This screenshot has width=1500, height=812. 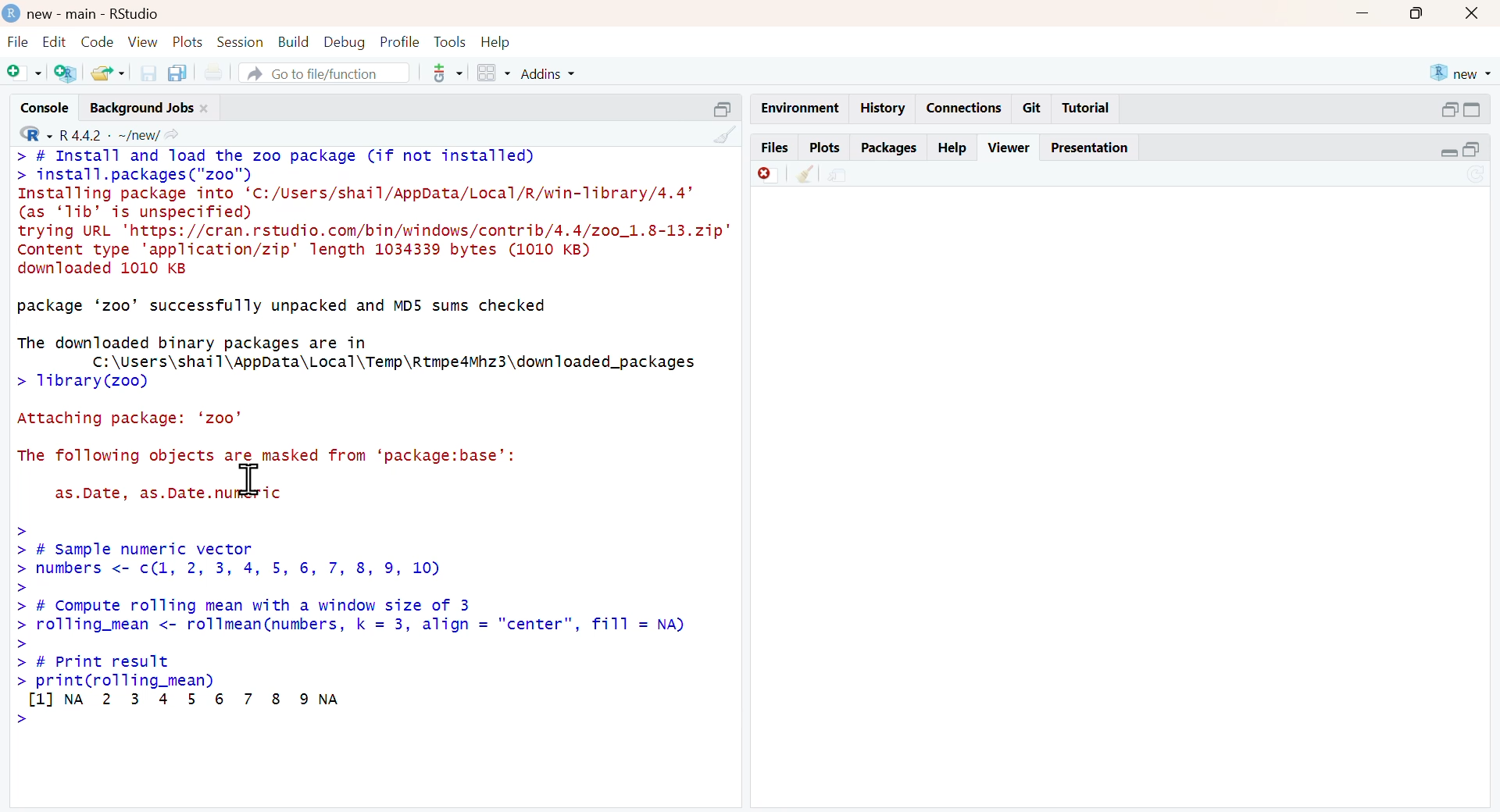 What do you see at coordinates (295, 42) in the screenshot?
I see `build` at bounding box center [295, 42].